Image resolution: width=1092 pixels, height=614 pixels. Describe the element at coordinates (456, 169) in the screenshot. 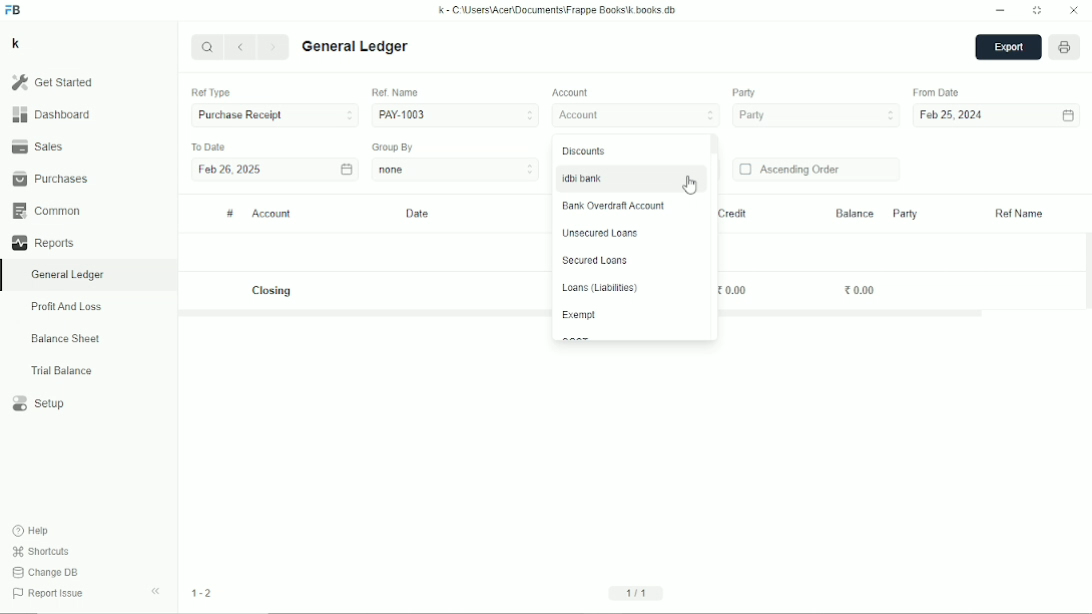

I see `none` at that location.